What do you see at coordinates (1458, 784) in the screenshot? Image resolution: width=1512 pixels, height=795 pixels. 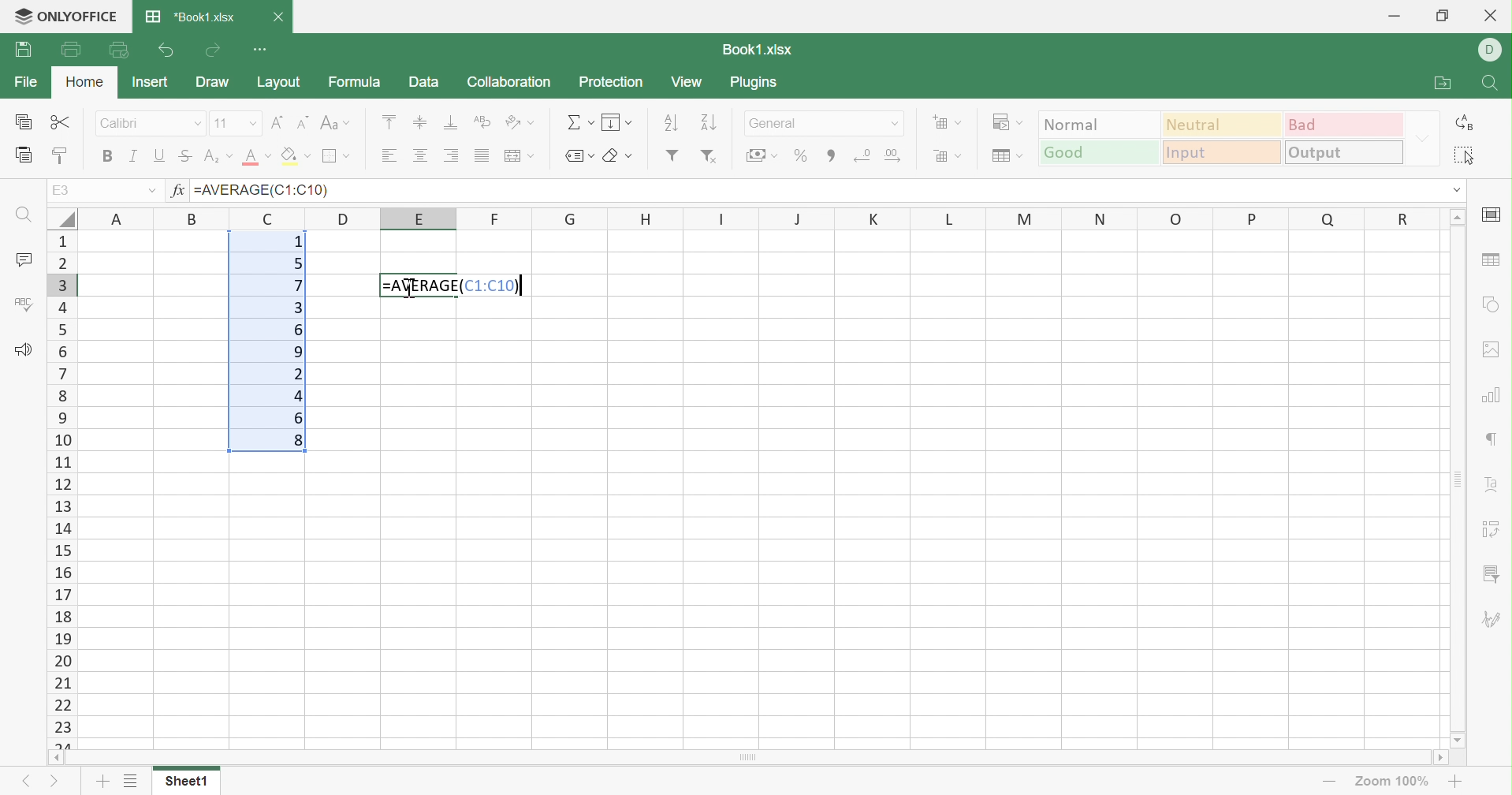 I see `Zoom In` at bounding box center [1458, 784].